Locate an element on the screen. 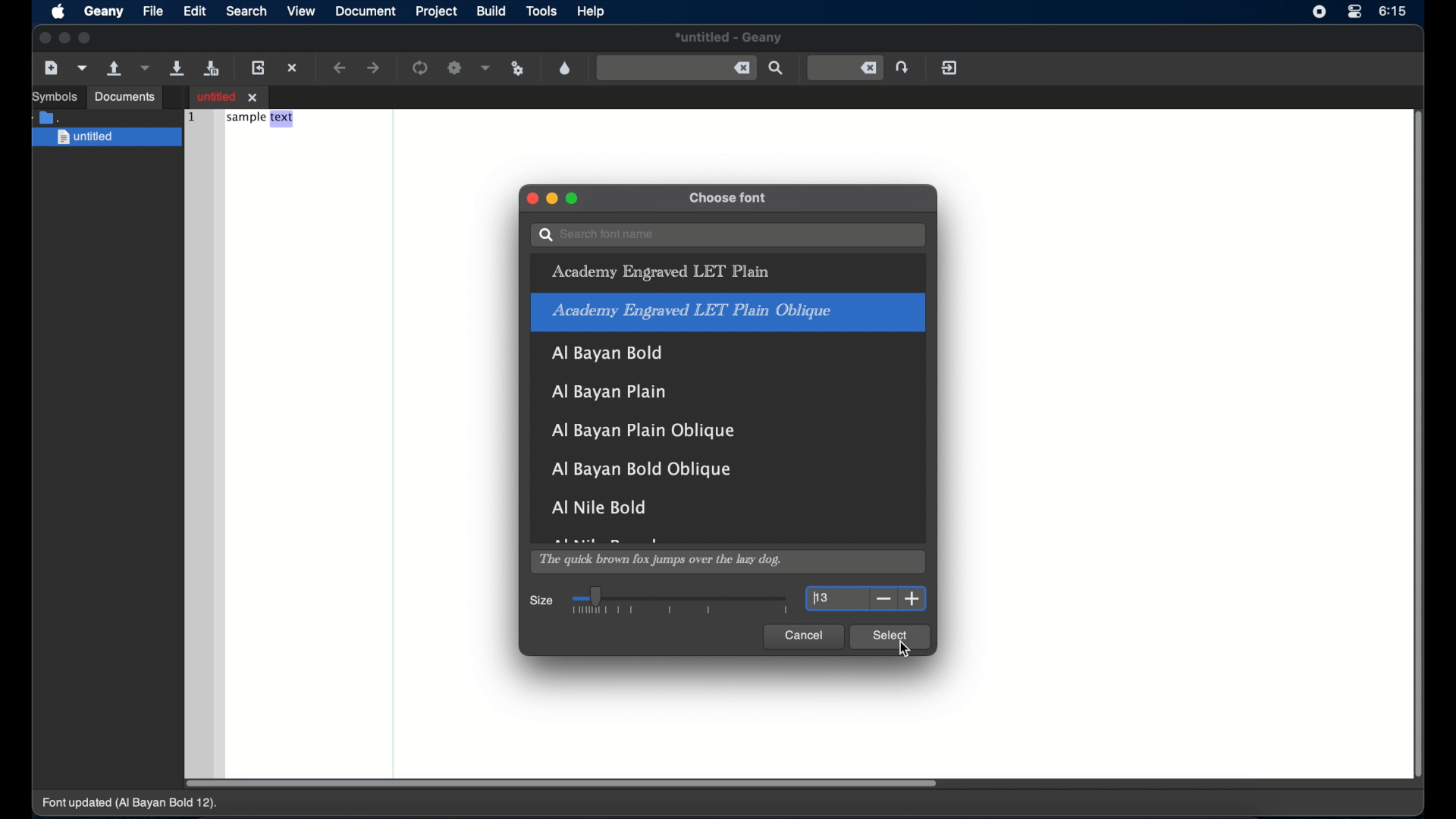 The width and height of the screenshot is (1456, 819). search bar is located at coordinates (727, 235).